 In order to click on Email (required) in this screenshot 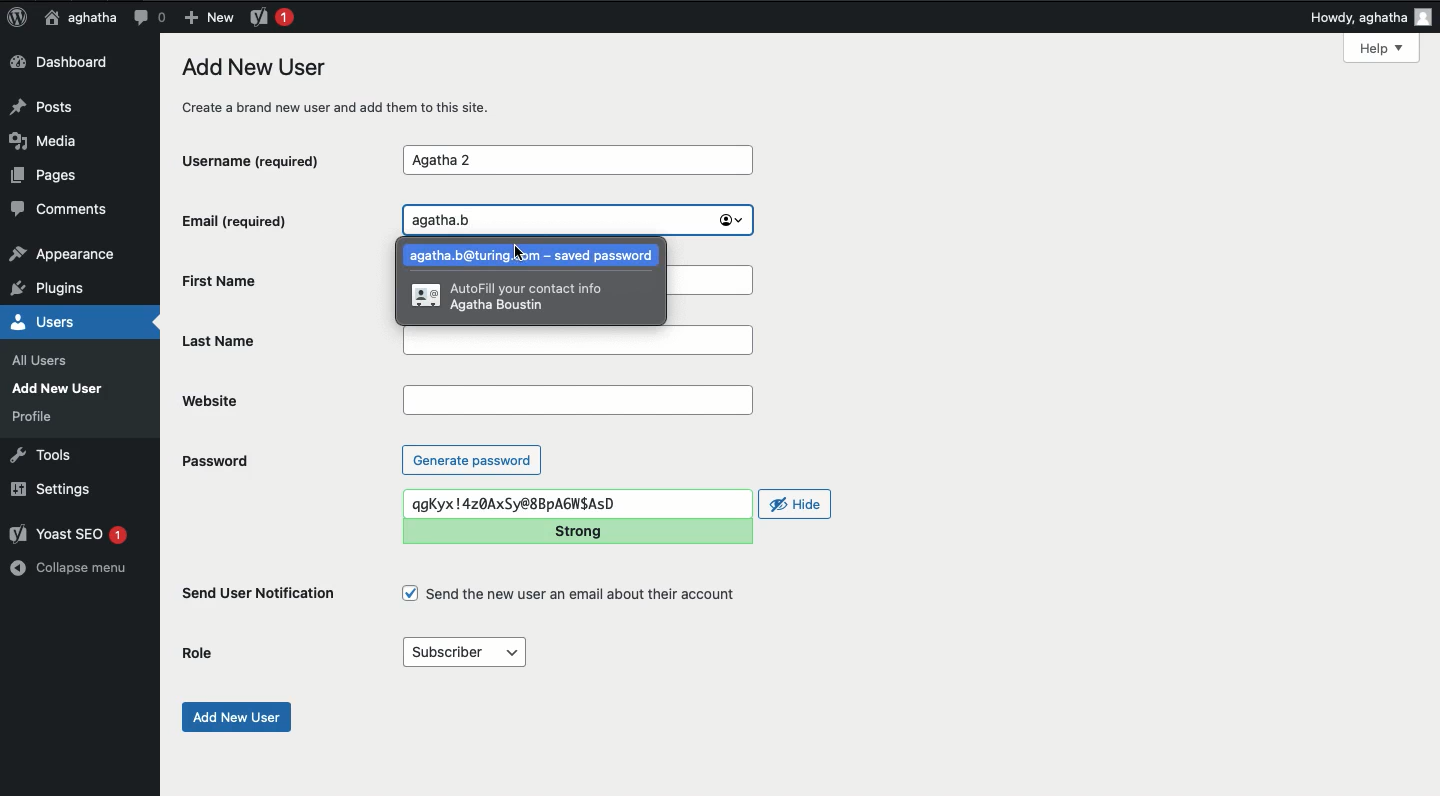, I will do `click(269, 220)`.